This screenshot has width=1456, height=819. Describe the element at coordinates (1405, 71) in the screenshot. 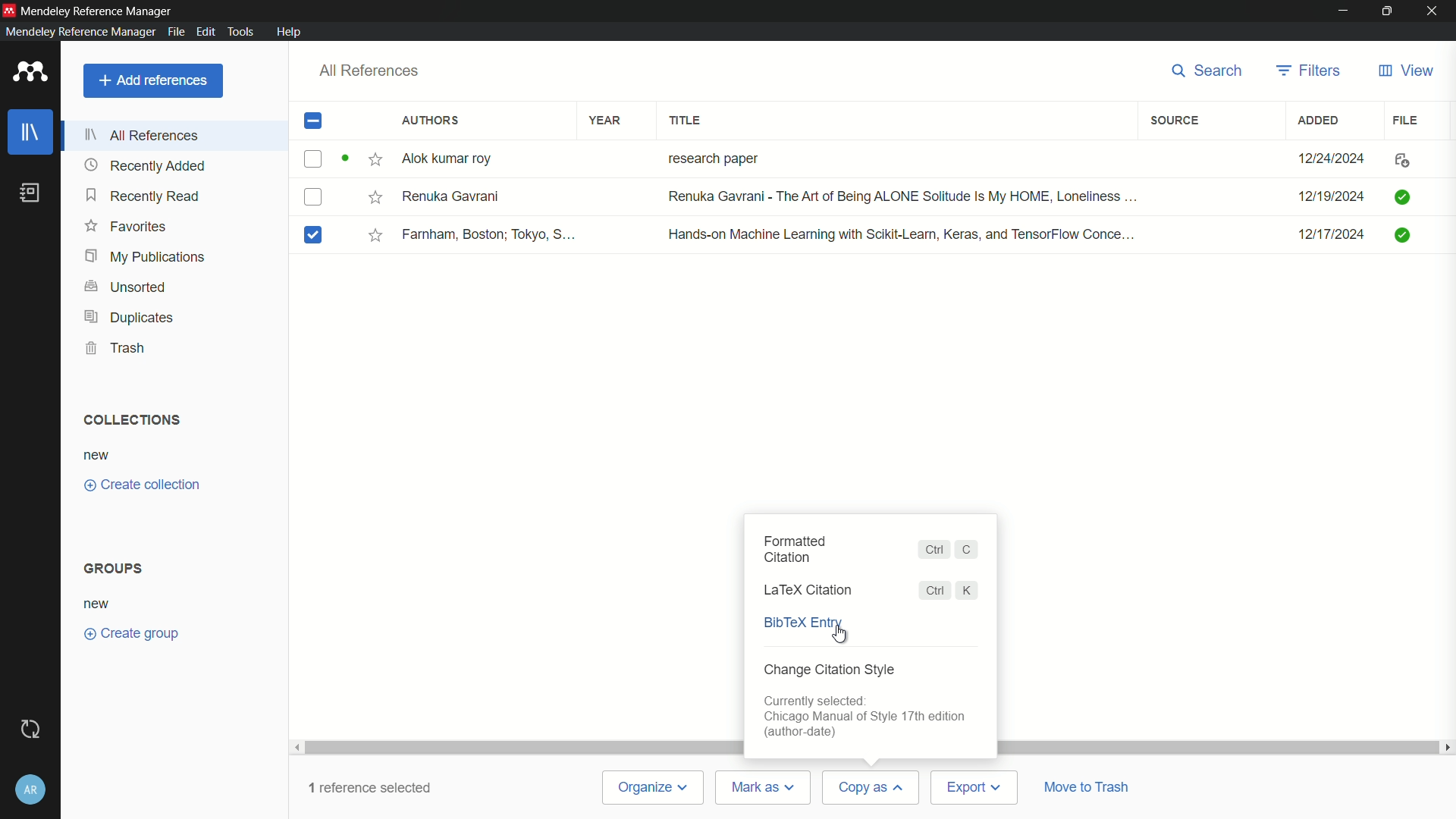

I see `view` at that location.